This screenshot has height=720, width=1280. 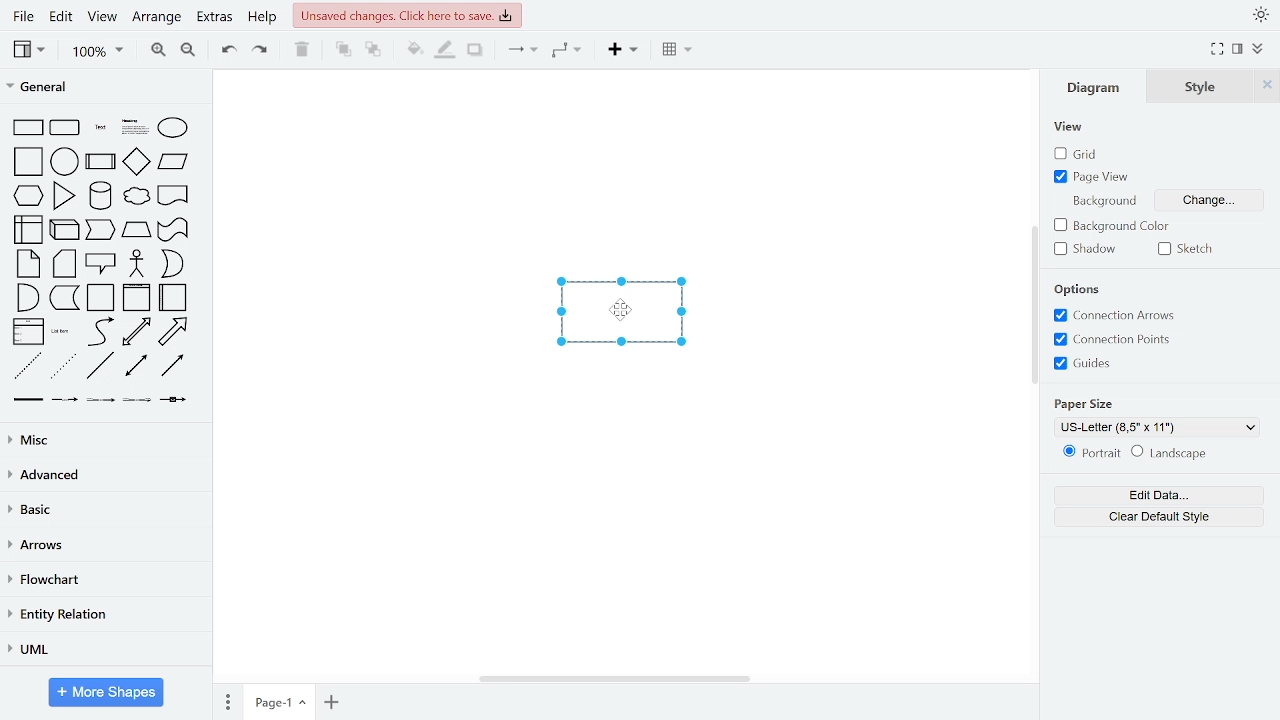 What do you see at coordinates (192, 52) in the screenshot?
I see `zoom out` at bounding box center [192, 52].